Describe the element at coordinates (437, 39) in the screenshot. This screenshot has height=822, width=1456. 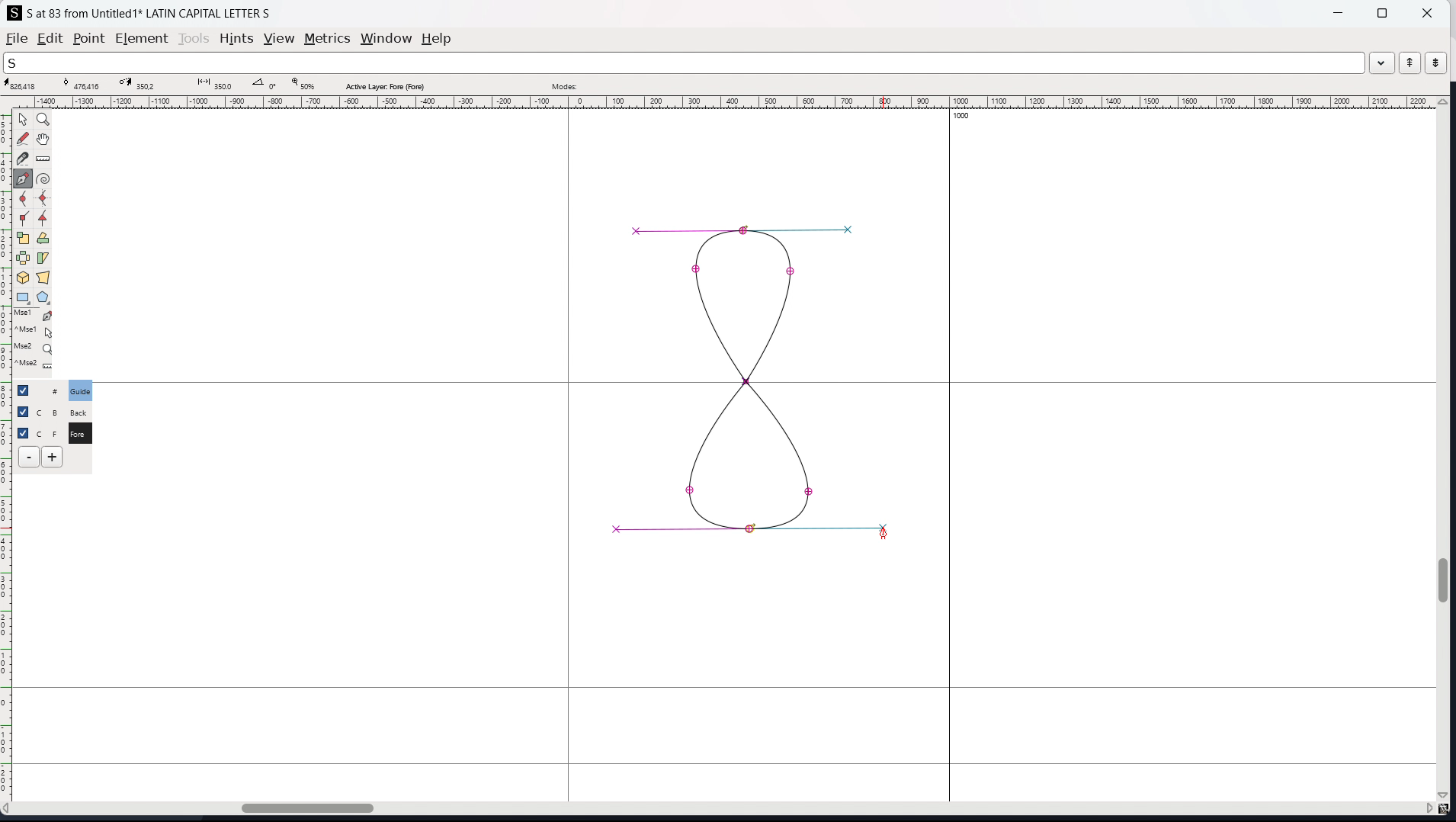
I see `help` at that location.